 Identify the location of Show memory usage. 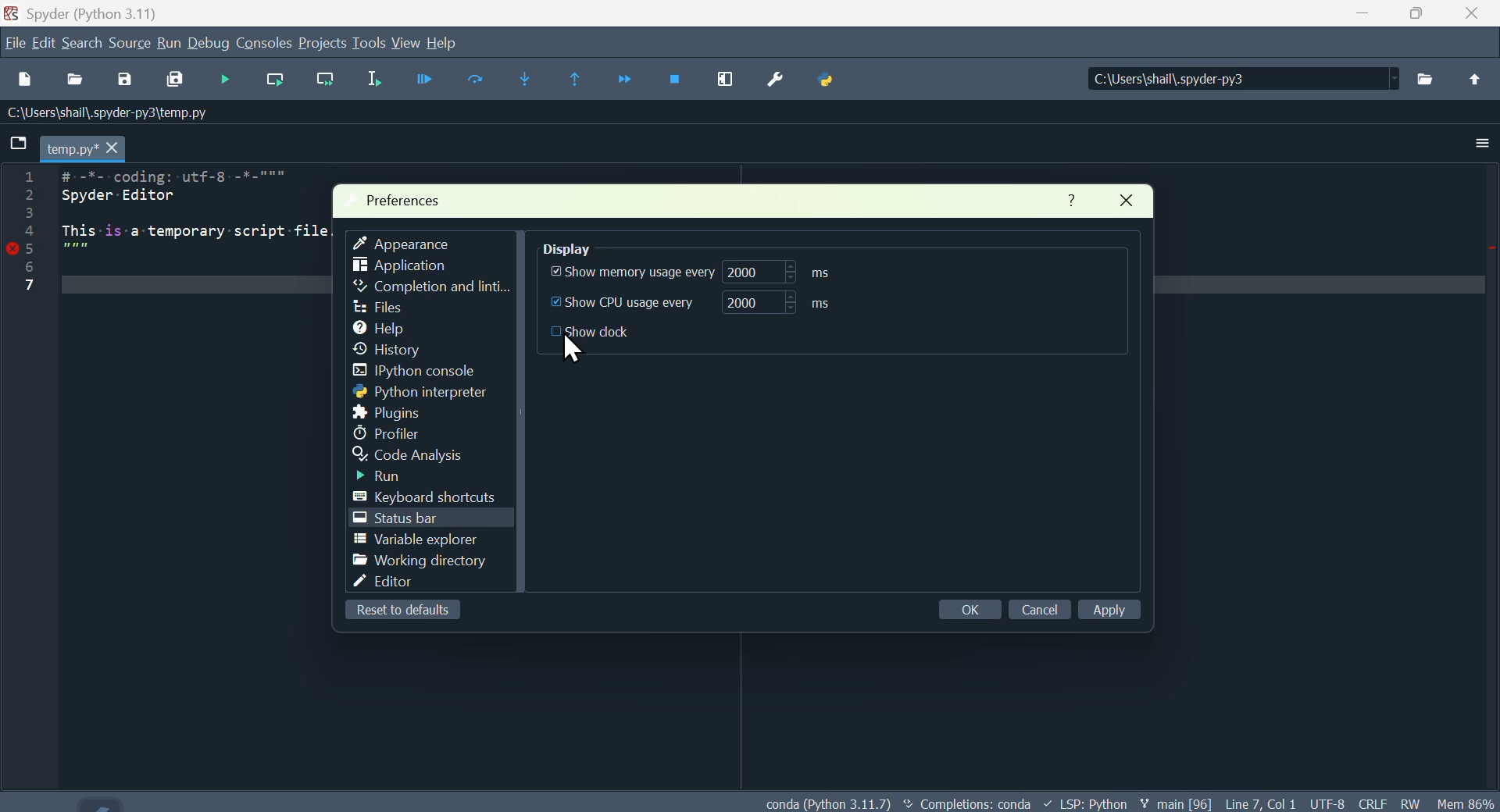
(684, 274).